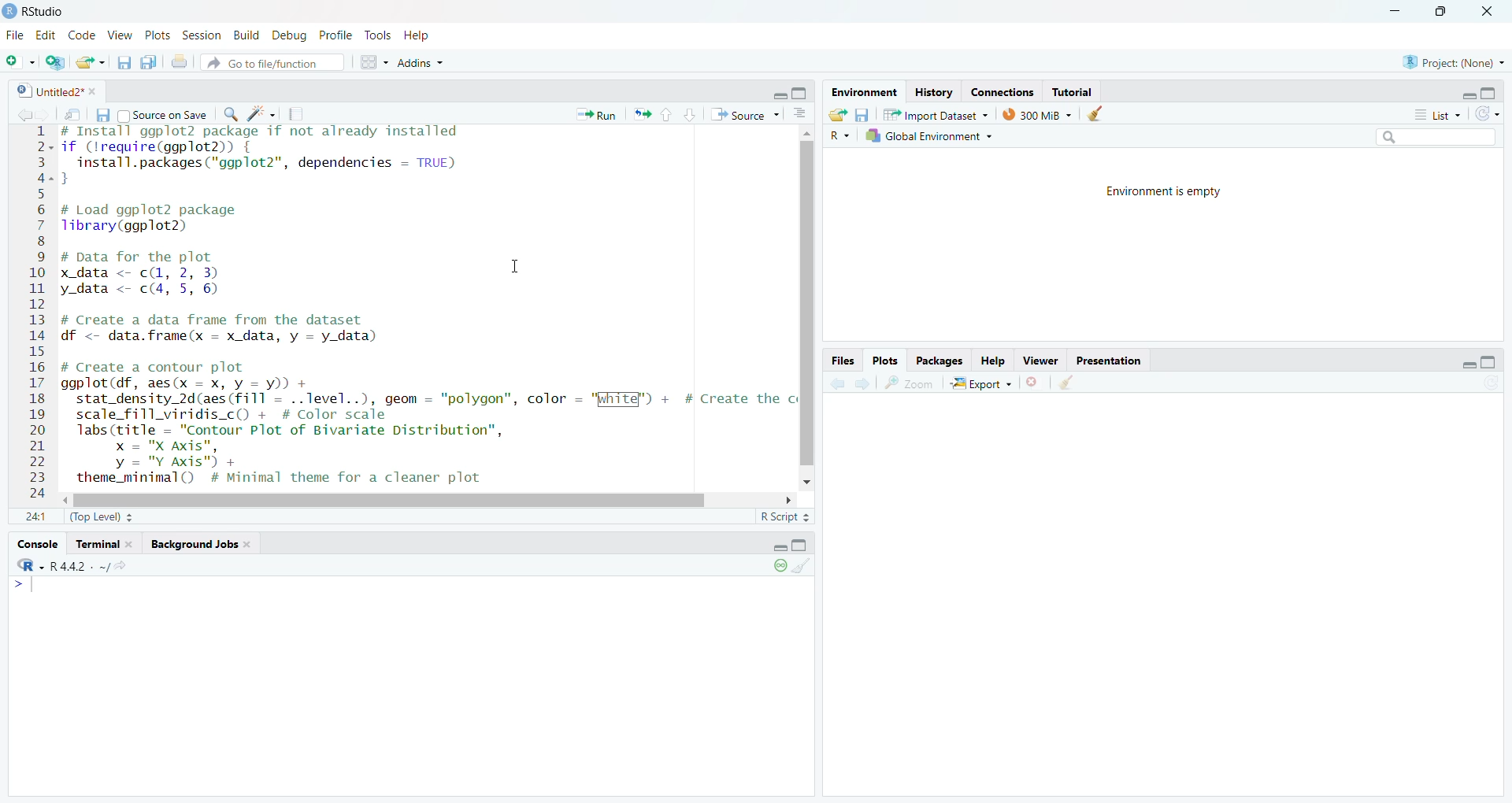  What do you see at coordinates (81, 35) in the screenshot?
I see `Code` at bounding box center [81, 35].